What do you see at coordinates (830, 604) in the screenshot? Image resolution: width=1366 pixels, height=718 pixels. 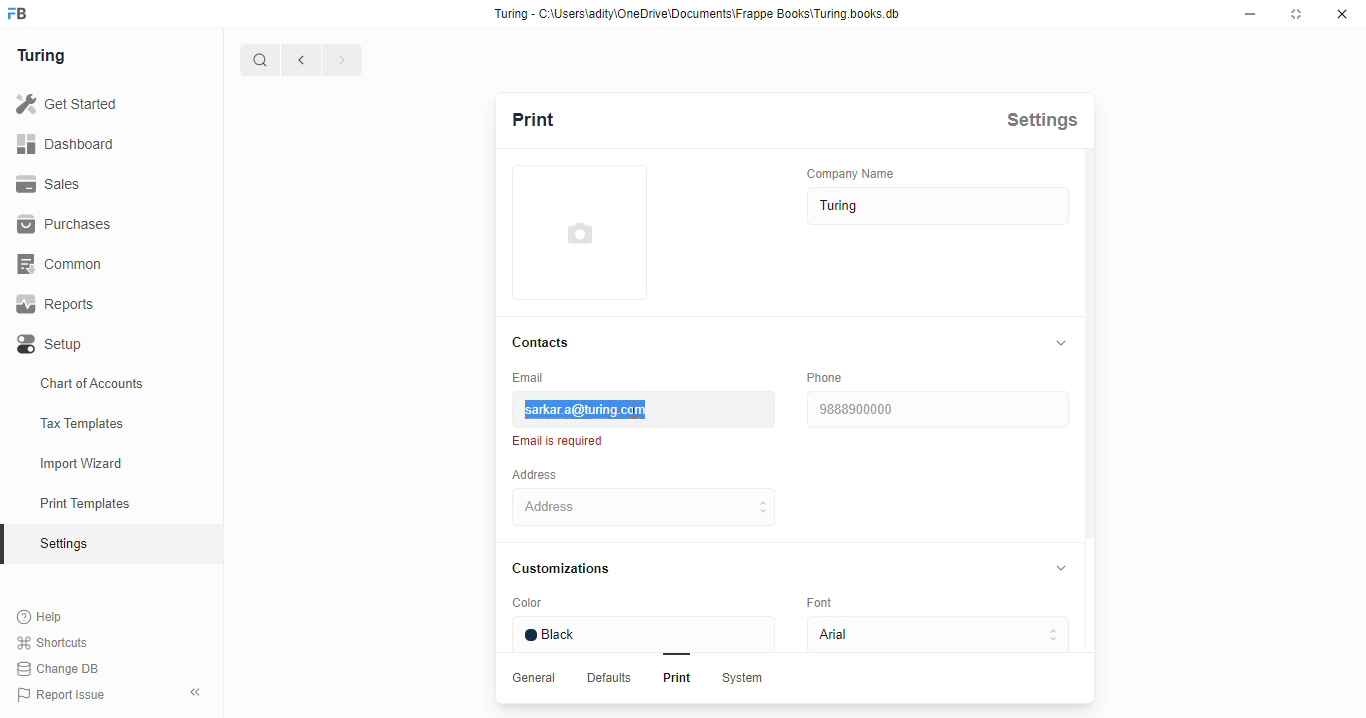 I see `Font` at bounding box center [830, 604].